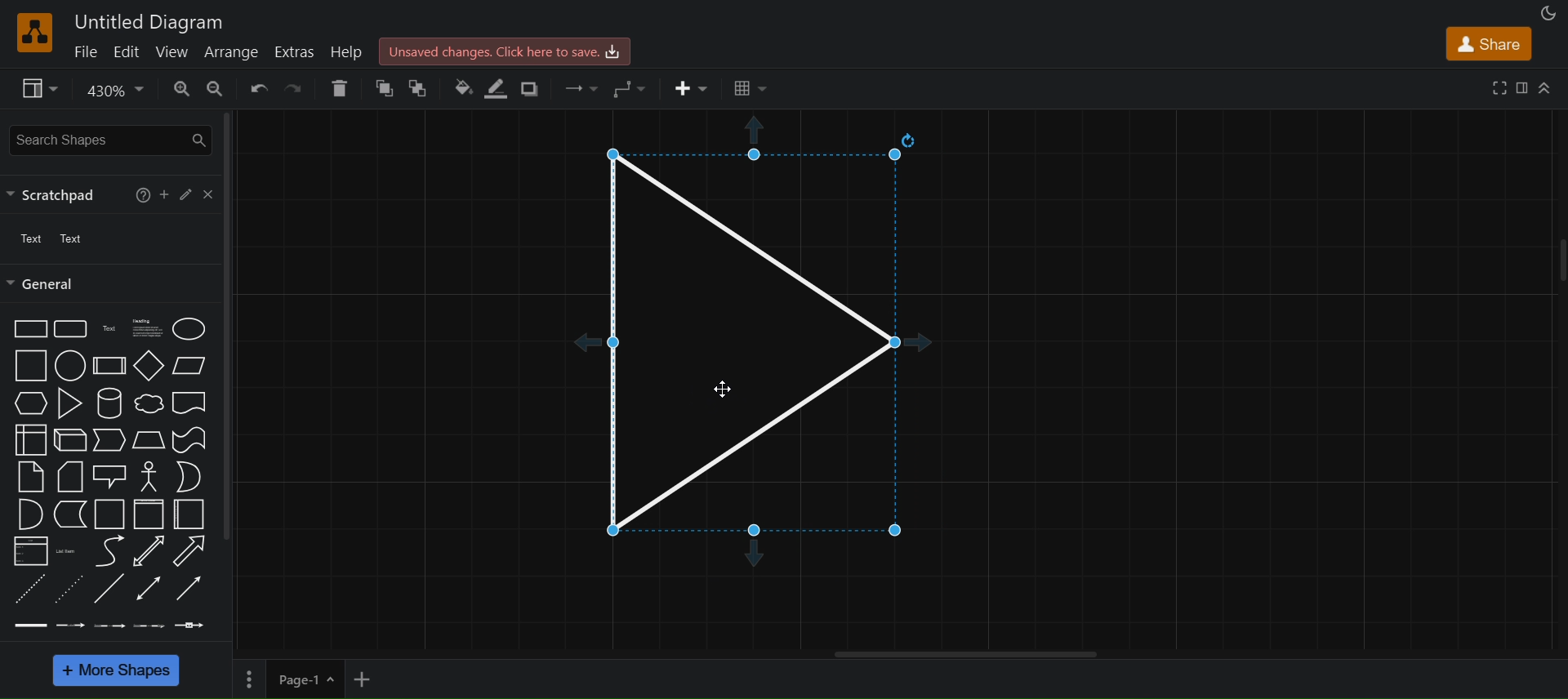 This screenshot has width=1568, height=699. I want to click on edit, so click(184, 194).